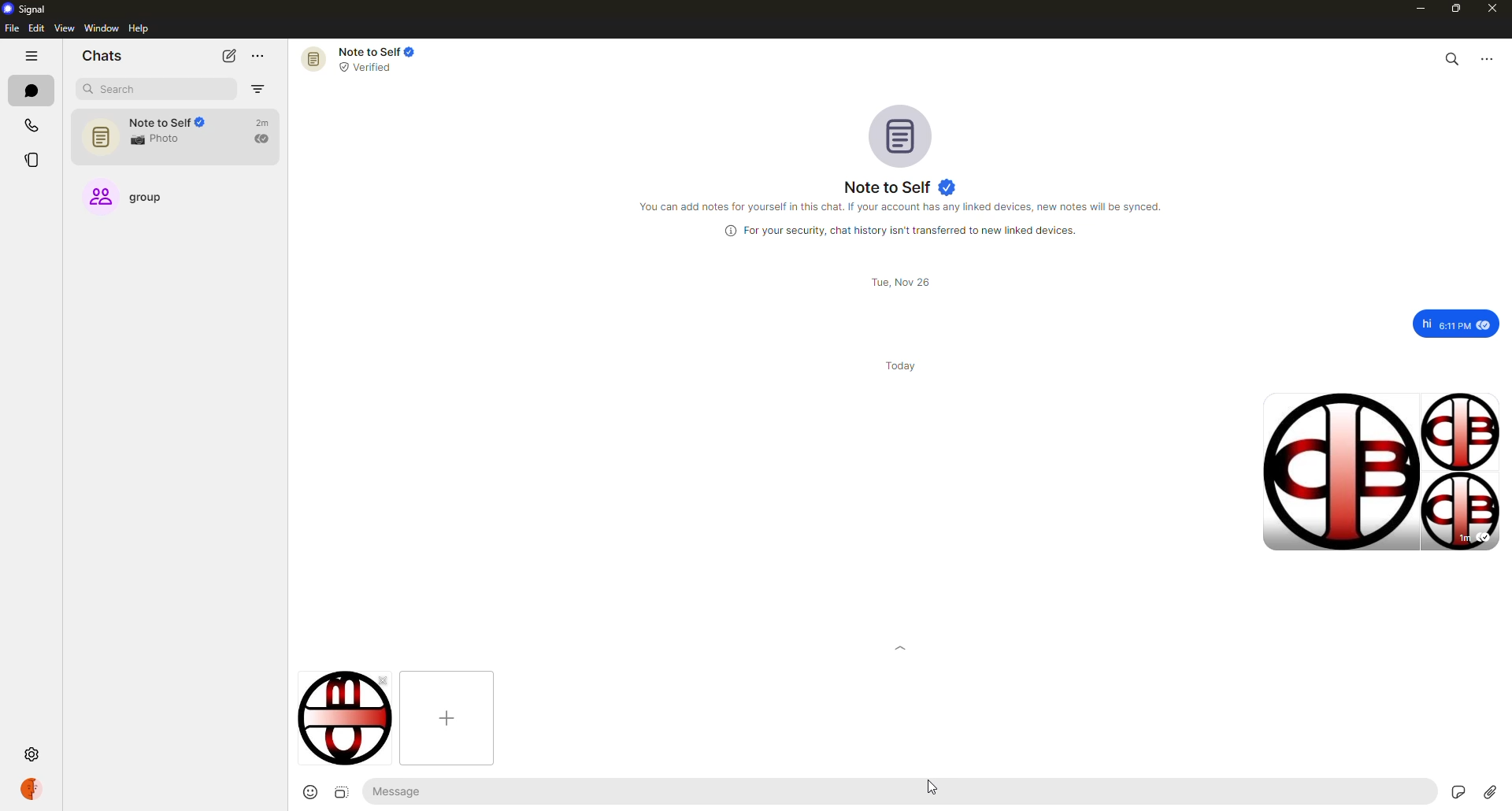  I want to click on add image, so click(447, 717).